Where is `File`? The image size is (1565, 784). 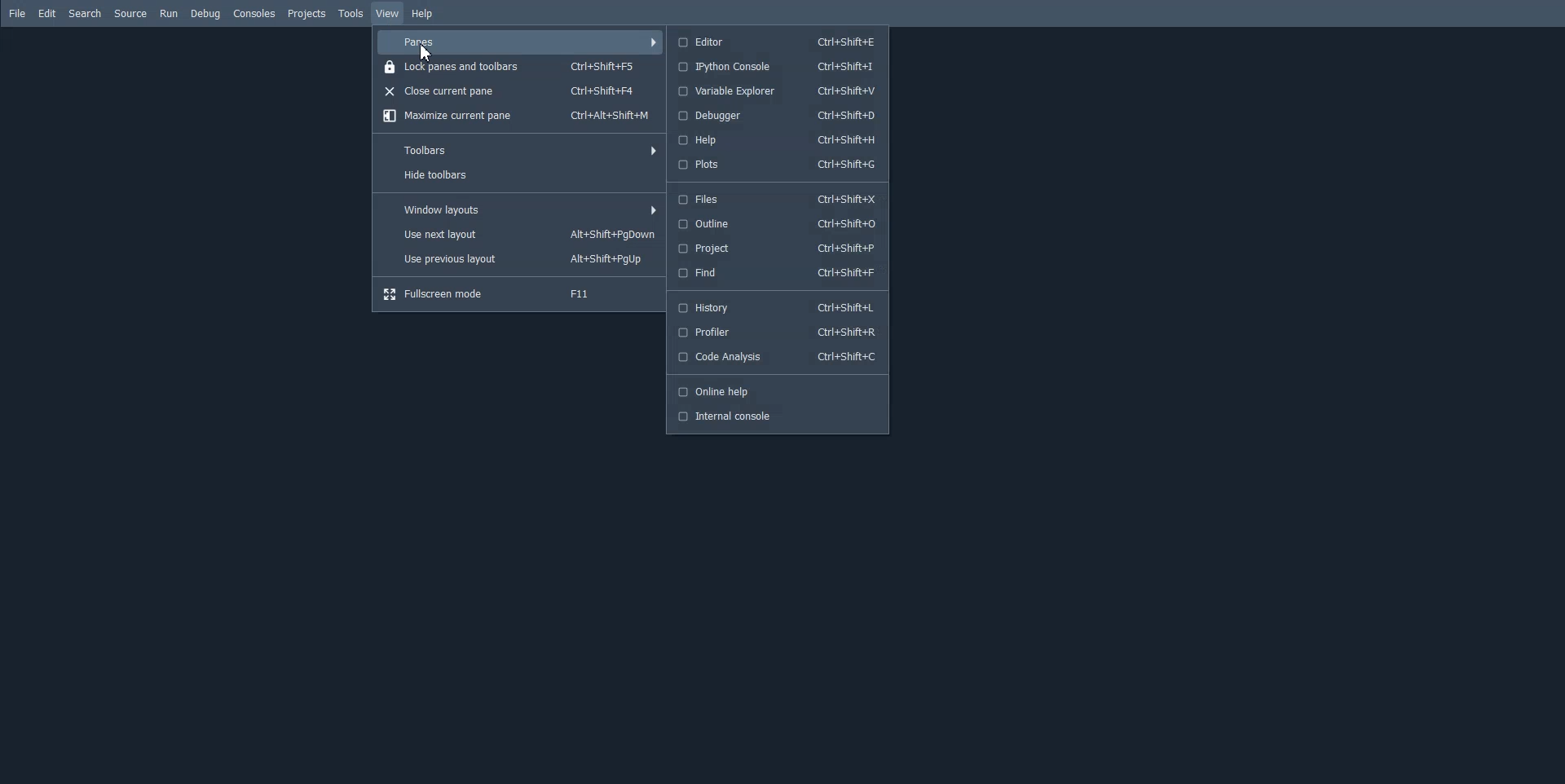
File is located at coordinates (18, 14).